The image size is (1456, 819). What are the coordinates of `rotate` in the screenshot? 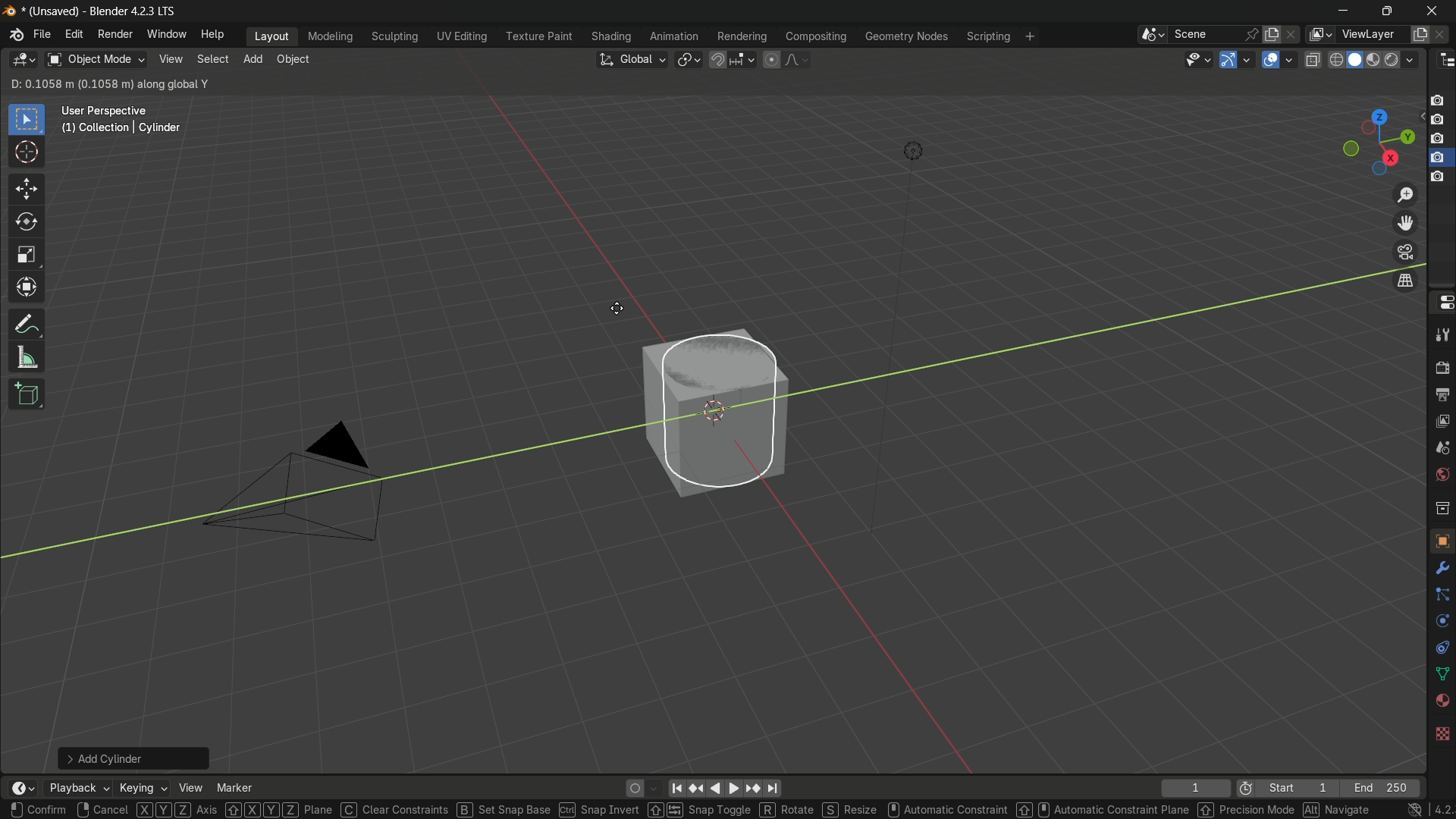 It's located at (26, 223).